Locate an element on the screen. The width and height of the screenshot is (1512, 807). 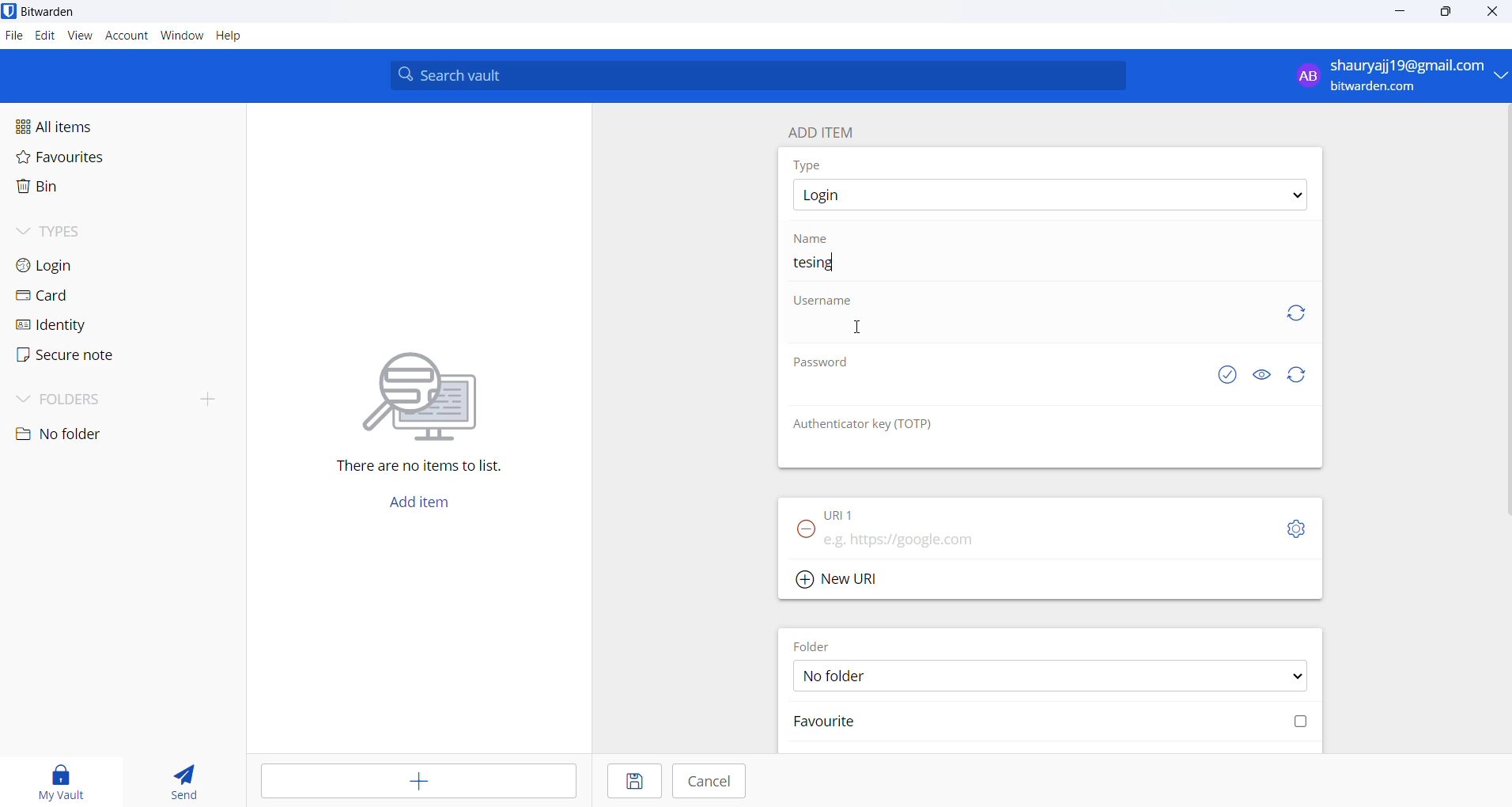
Name text box is located at coordinates (1044, 265).